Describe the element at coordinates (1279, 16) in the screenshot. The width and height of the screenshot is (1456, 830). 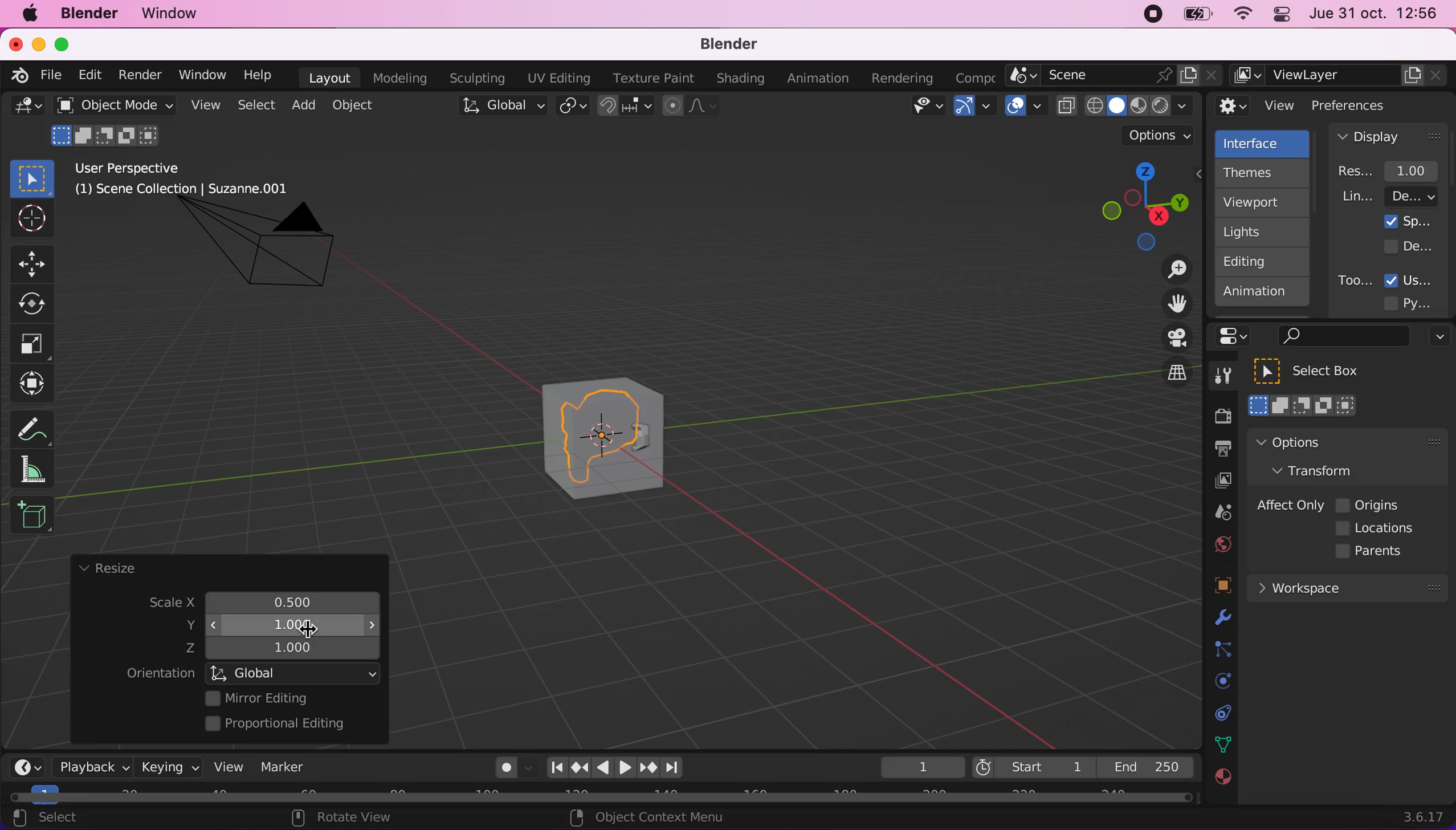
I see `panel control` at that location.